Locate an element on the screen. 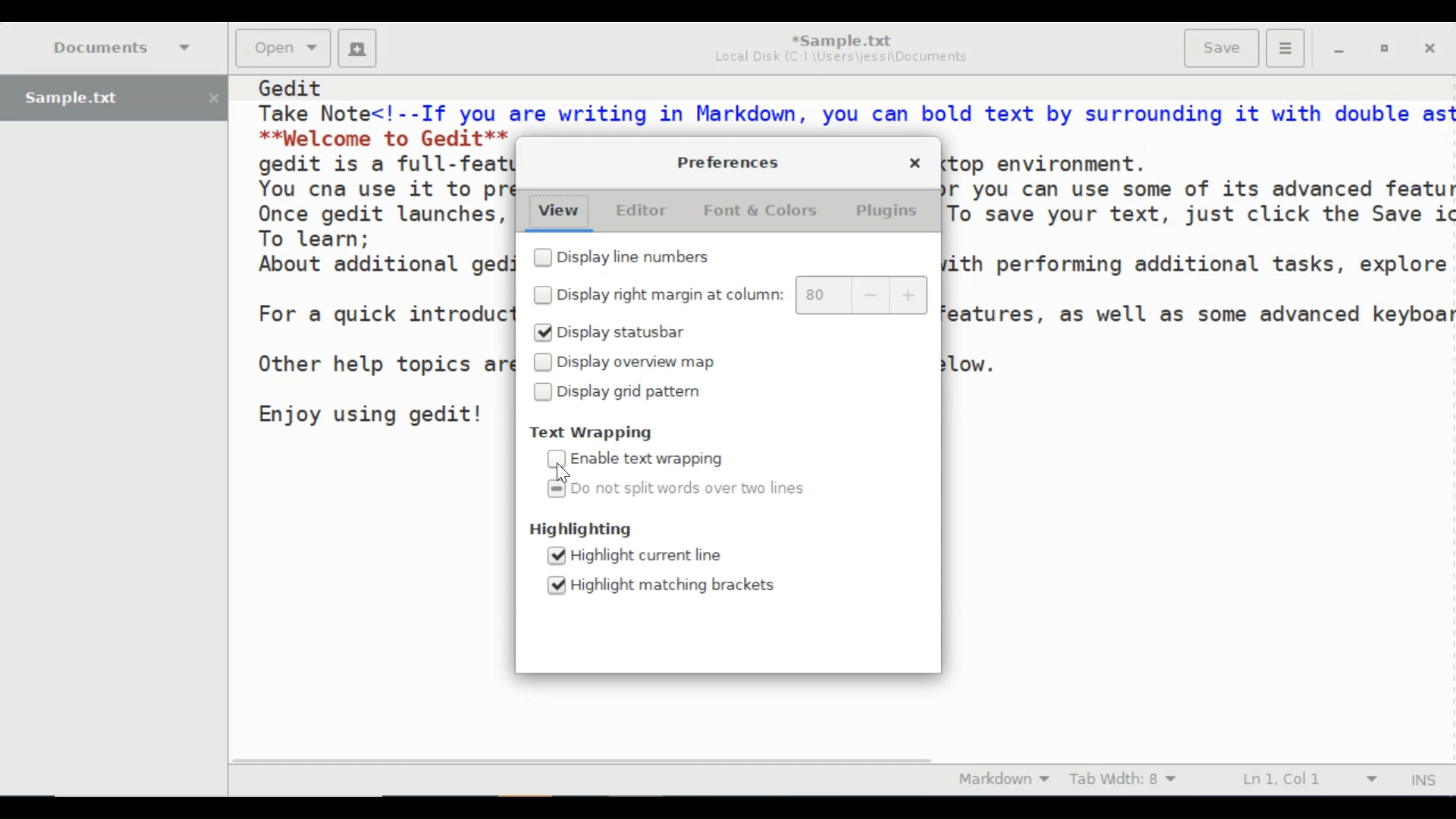 The height and width of the screenshot is (819, 1456). Preferences is located at coordinates (727, 163).